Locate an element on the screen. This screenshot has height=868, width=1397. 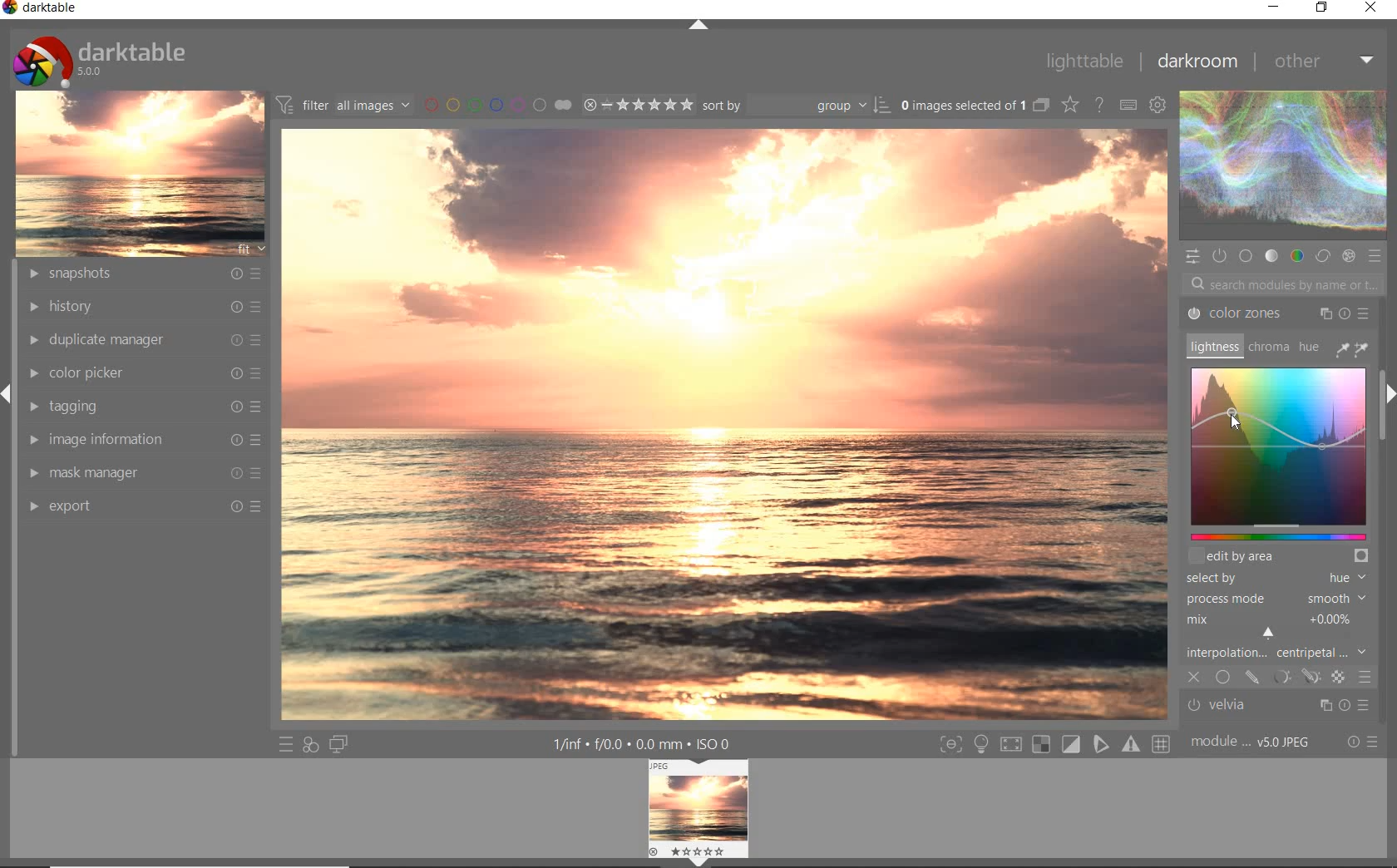
MODULE ORDER is located at coordinates (1252, 742).